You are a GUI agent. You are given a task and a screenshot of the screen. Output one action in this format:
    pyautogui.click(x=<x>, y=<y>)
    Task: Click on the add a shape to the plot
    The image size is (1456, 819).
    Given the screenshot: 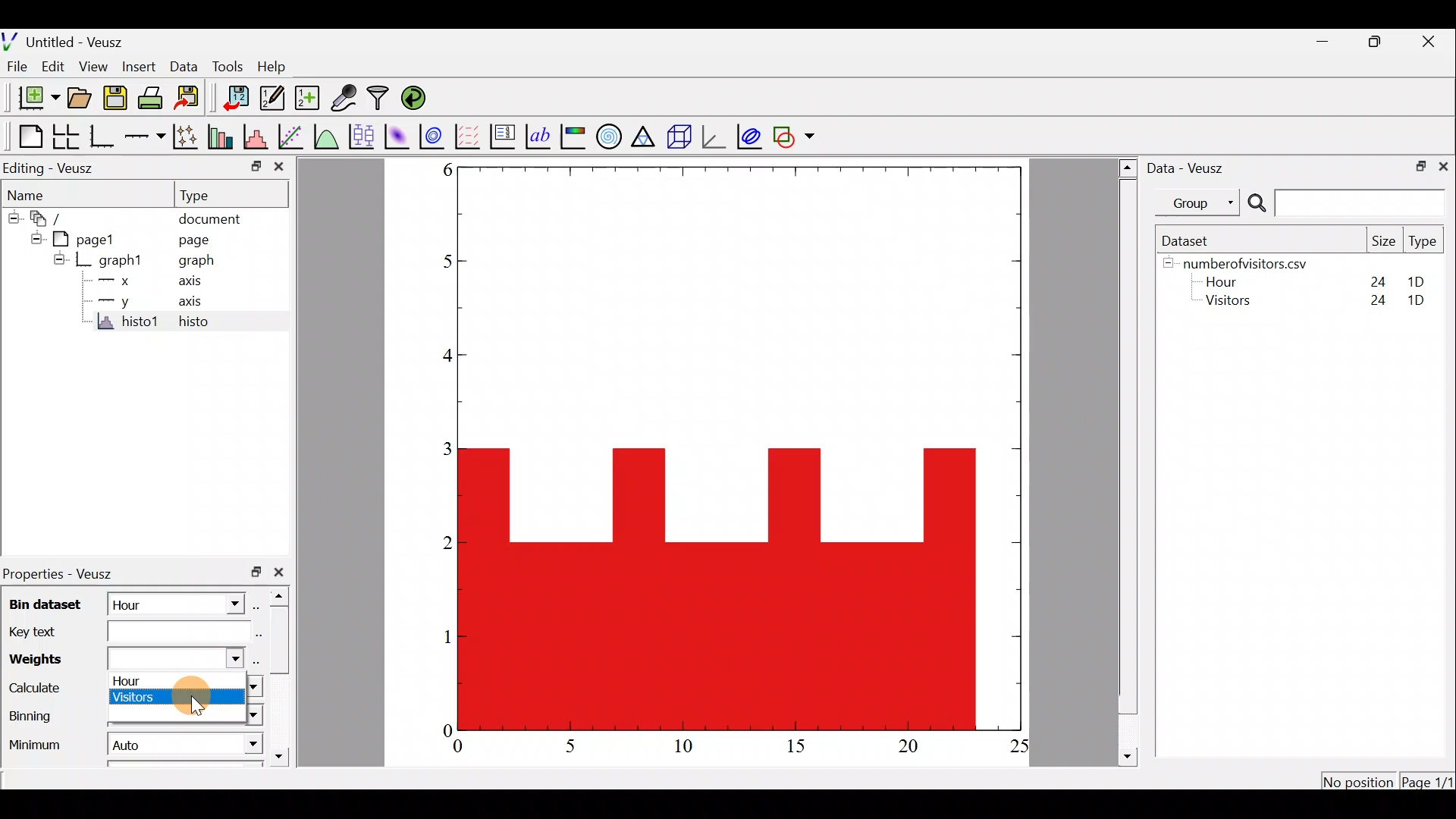 What is the action you would take?
    pyautogui.click(x=795, y=137)
    